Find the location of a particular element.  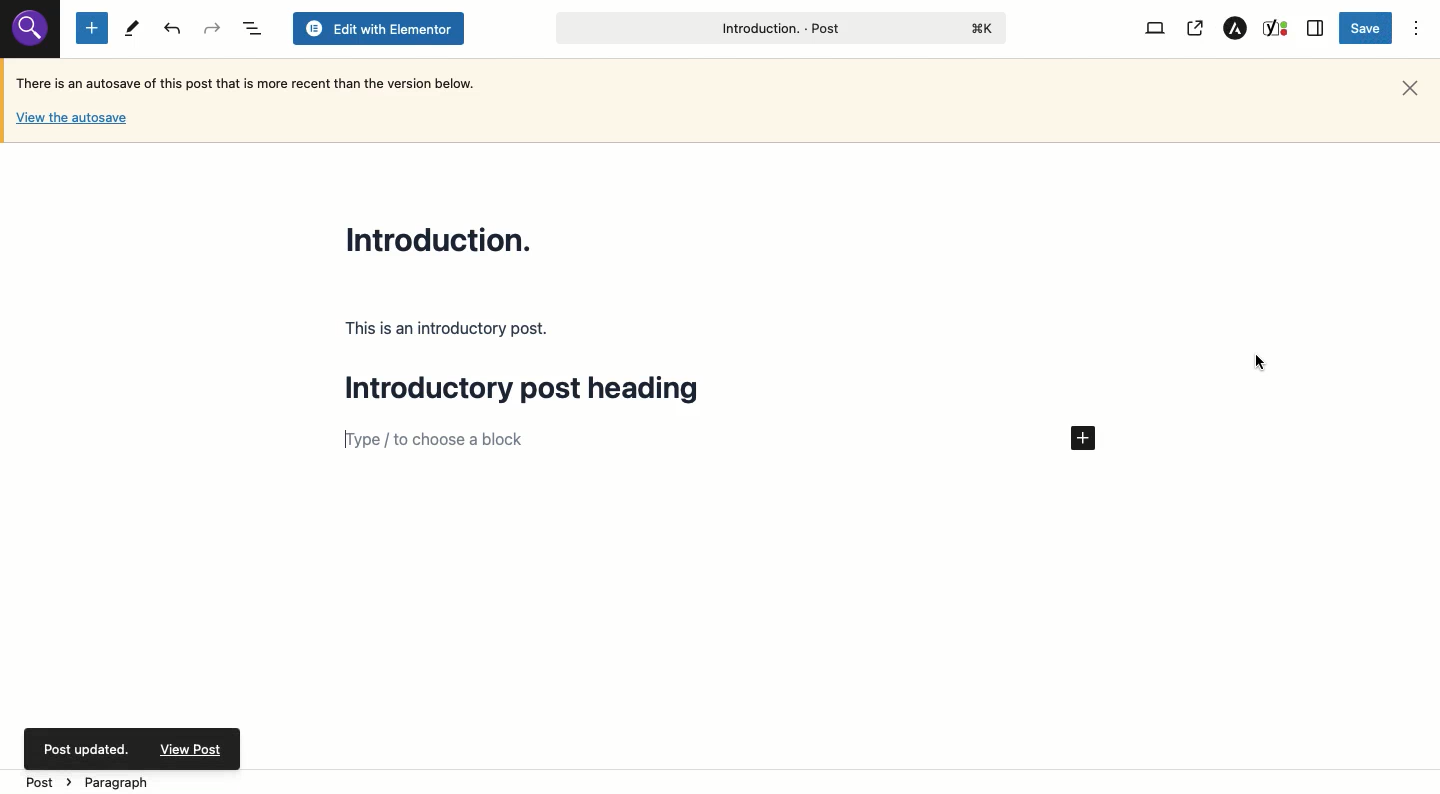

Add new block is located at coordinates (92, 27).